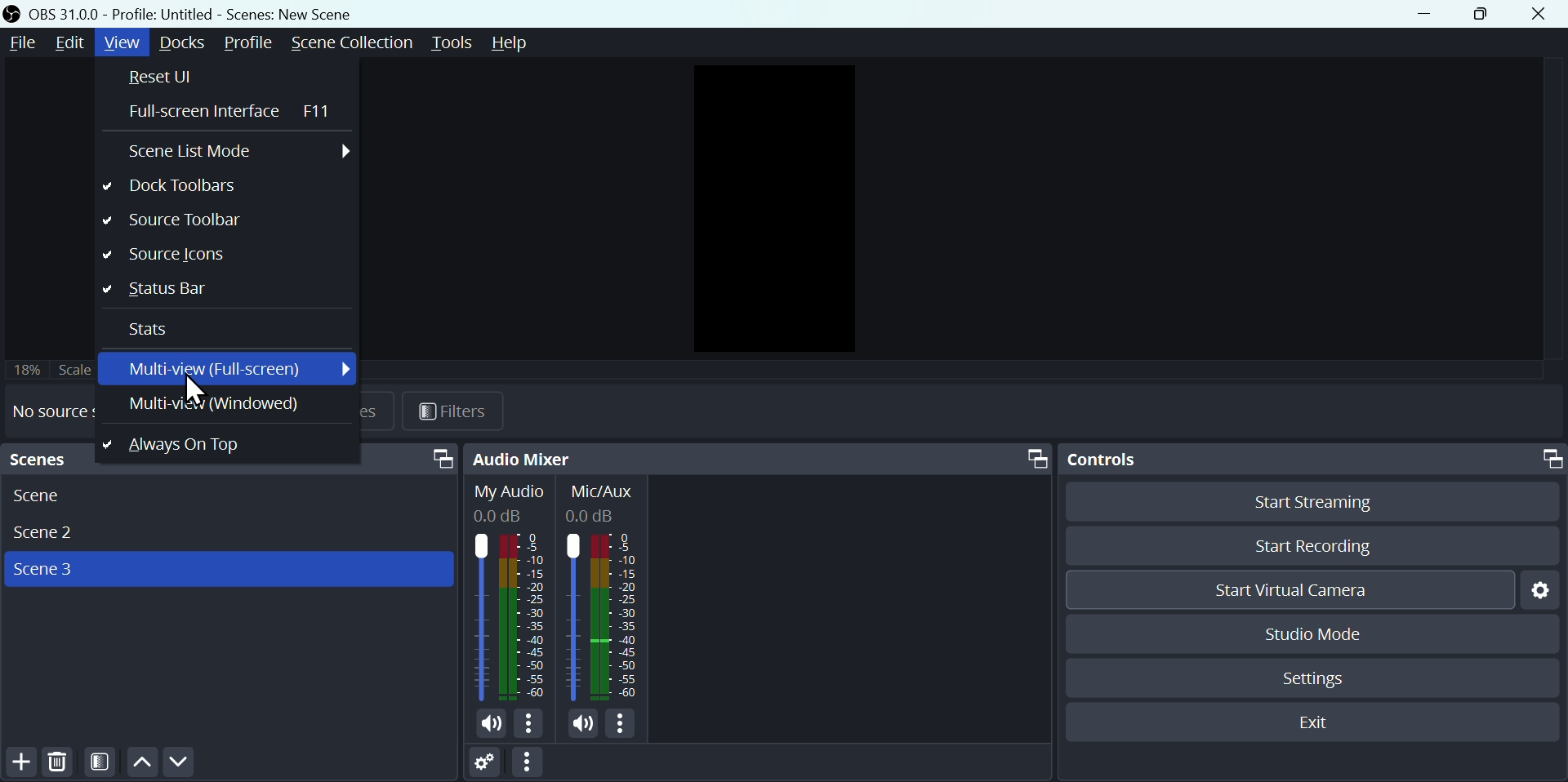 Image resolution: width=1568 pixels, height=782 pixels. Describe the element at coordinates (141, 764) in the screenshot. I see `Move up` at that location.